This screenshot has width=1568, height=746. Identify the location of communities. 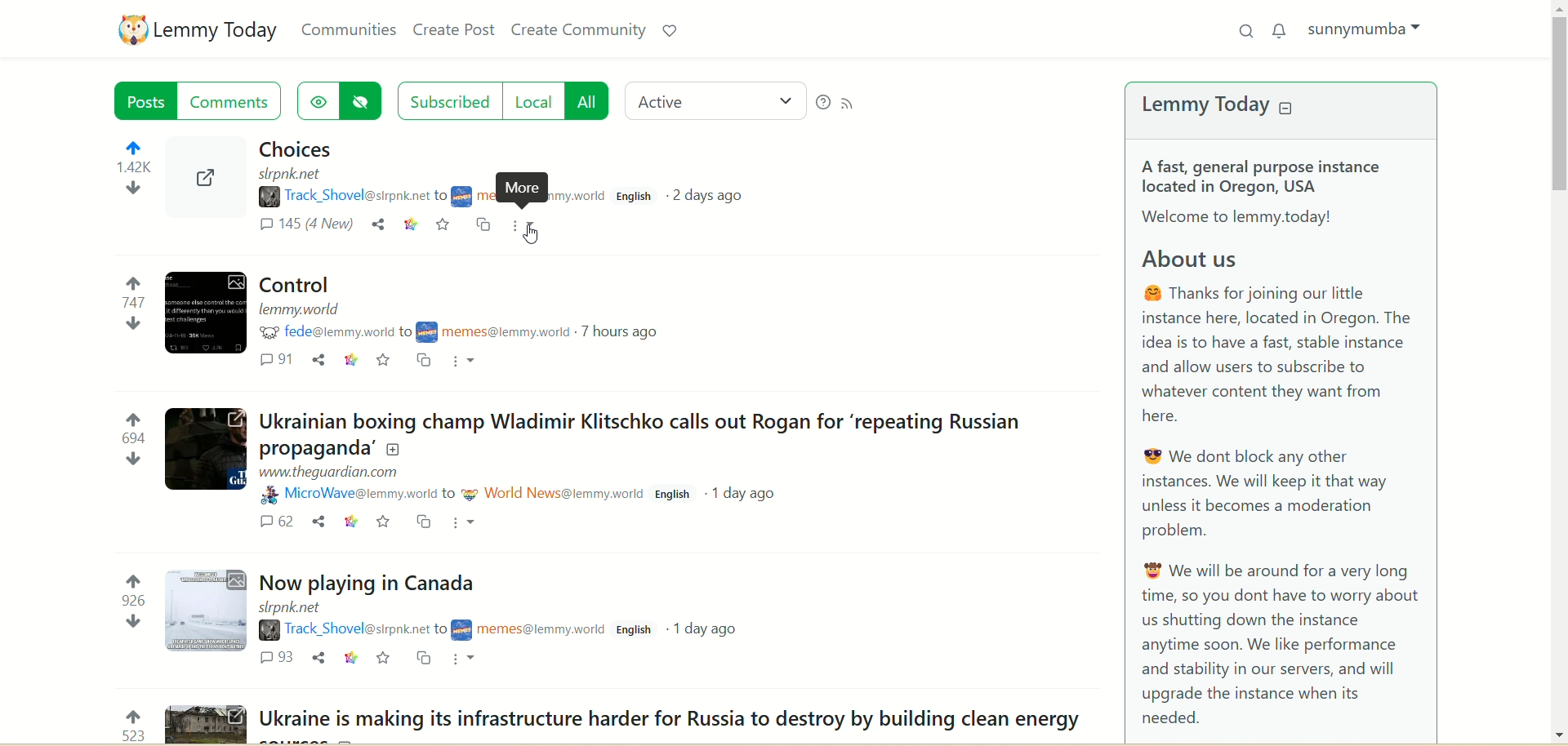
(346, 30).